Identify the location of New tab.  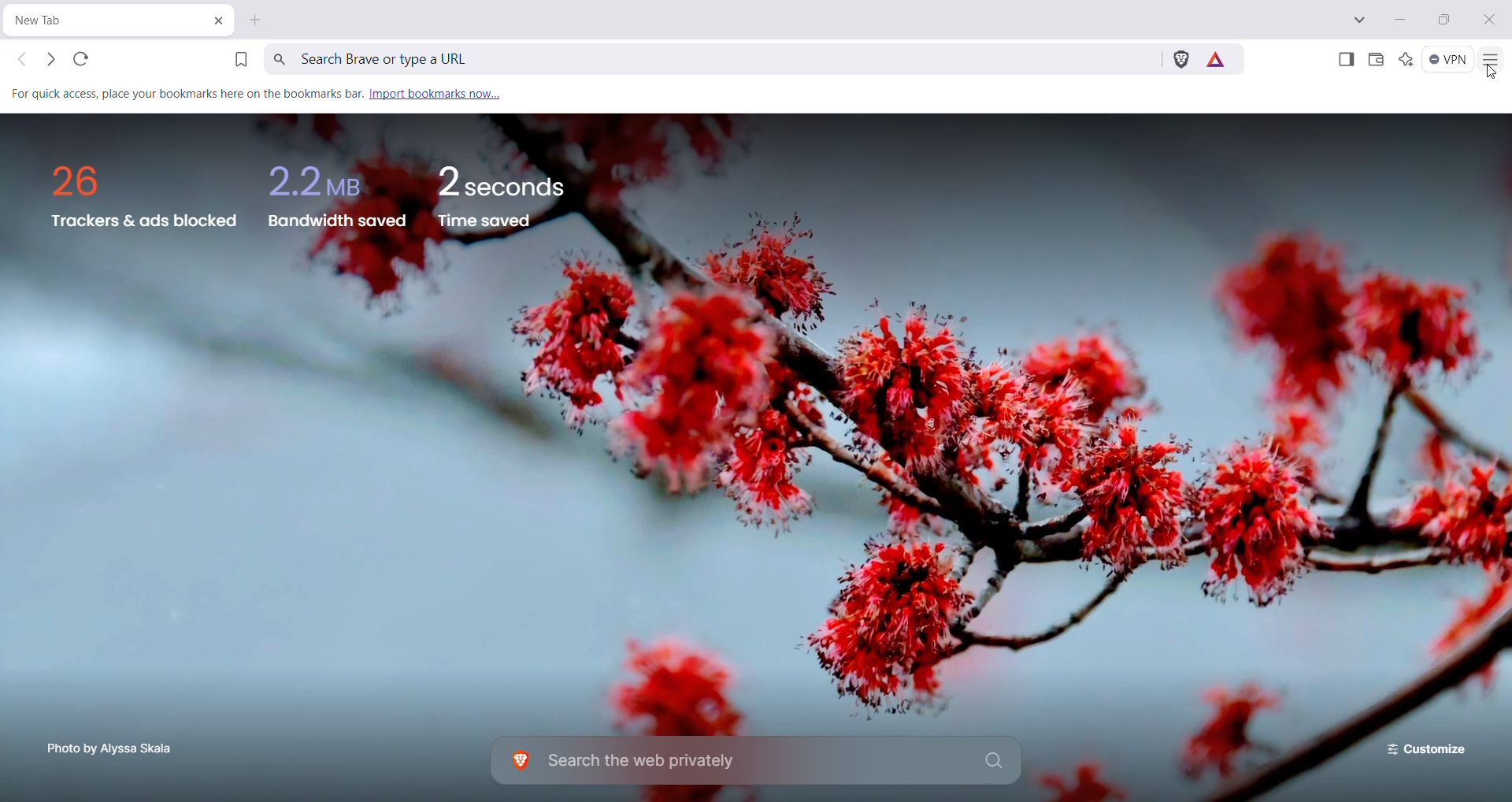
(98, 18).